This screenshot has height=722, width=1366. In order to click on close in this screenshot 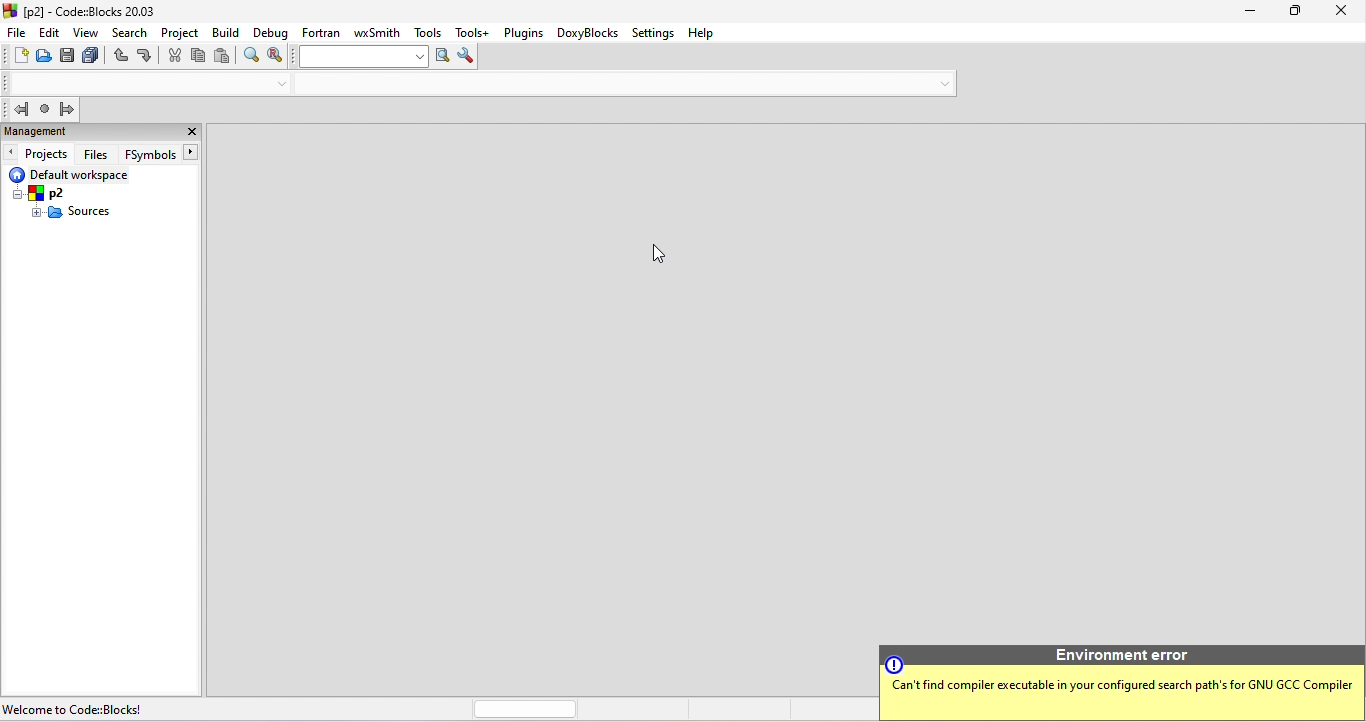, I will do `click(189, 130)`.